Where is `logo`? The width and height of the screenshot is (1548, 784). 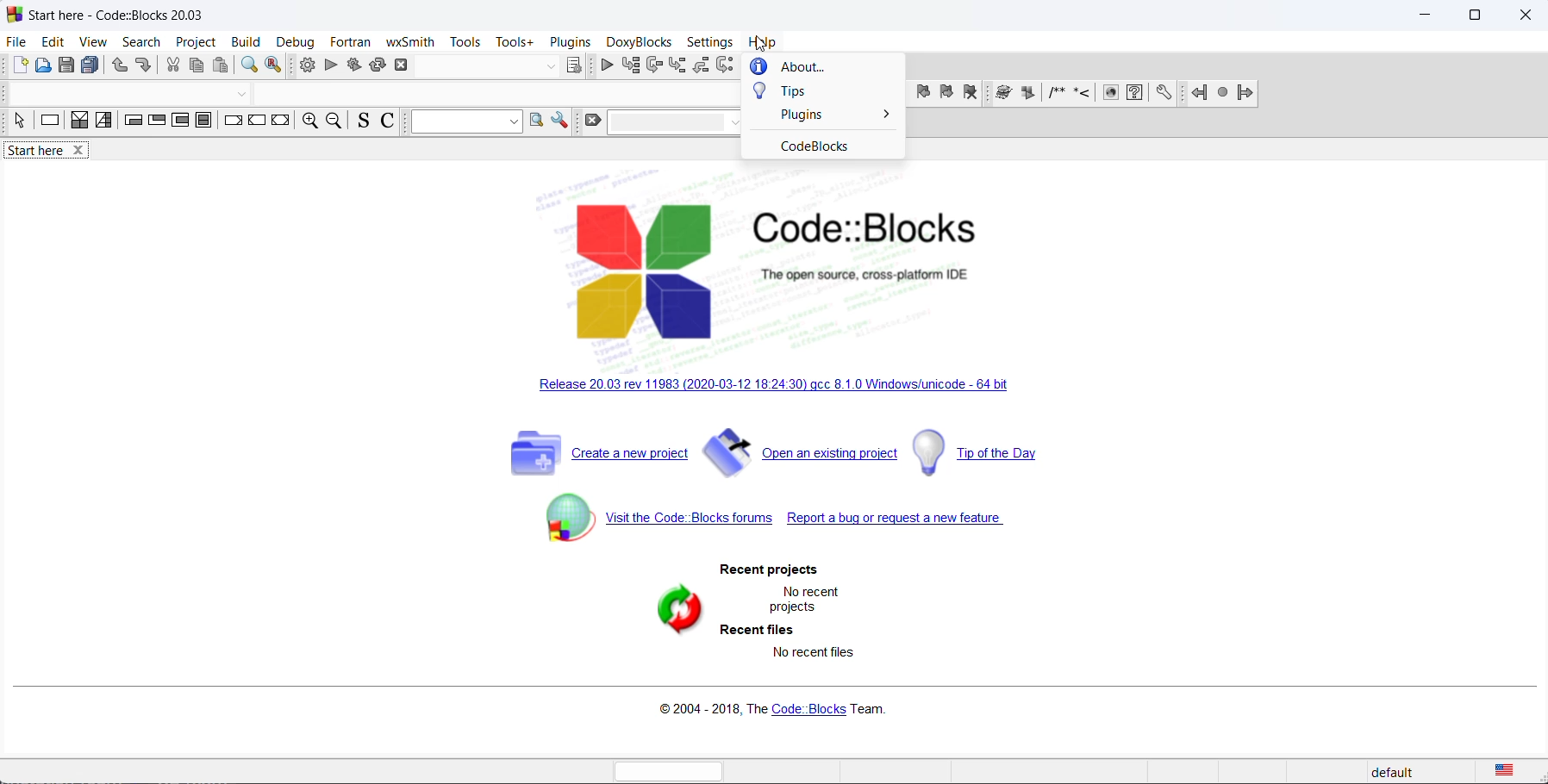
logo is located at coordinates (808, 270).